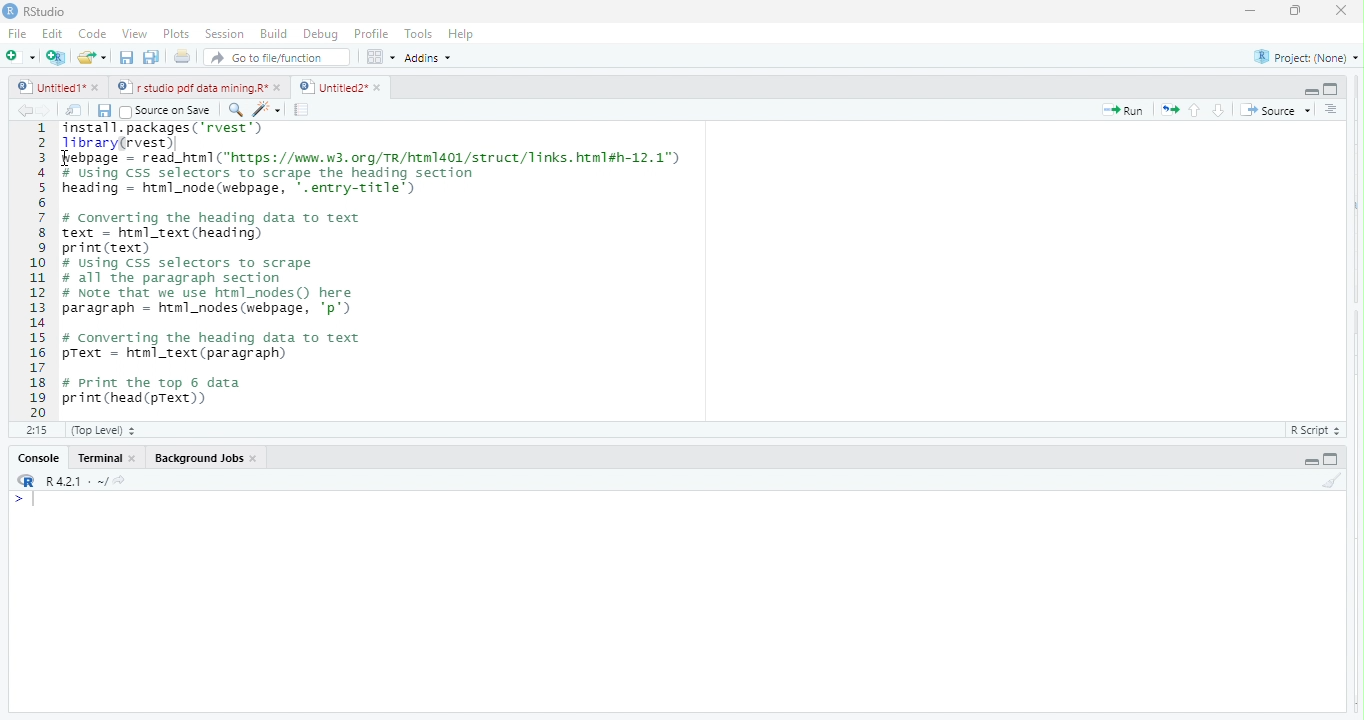 This screenshot has height=720, width=1364. Describe the element at coordinates (196, 456) in the screenshot. I see `Background Jobs` at that location.